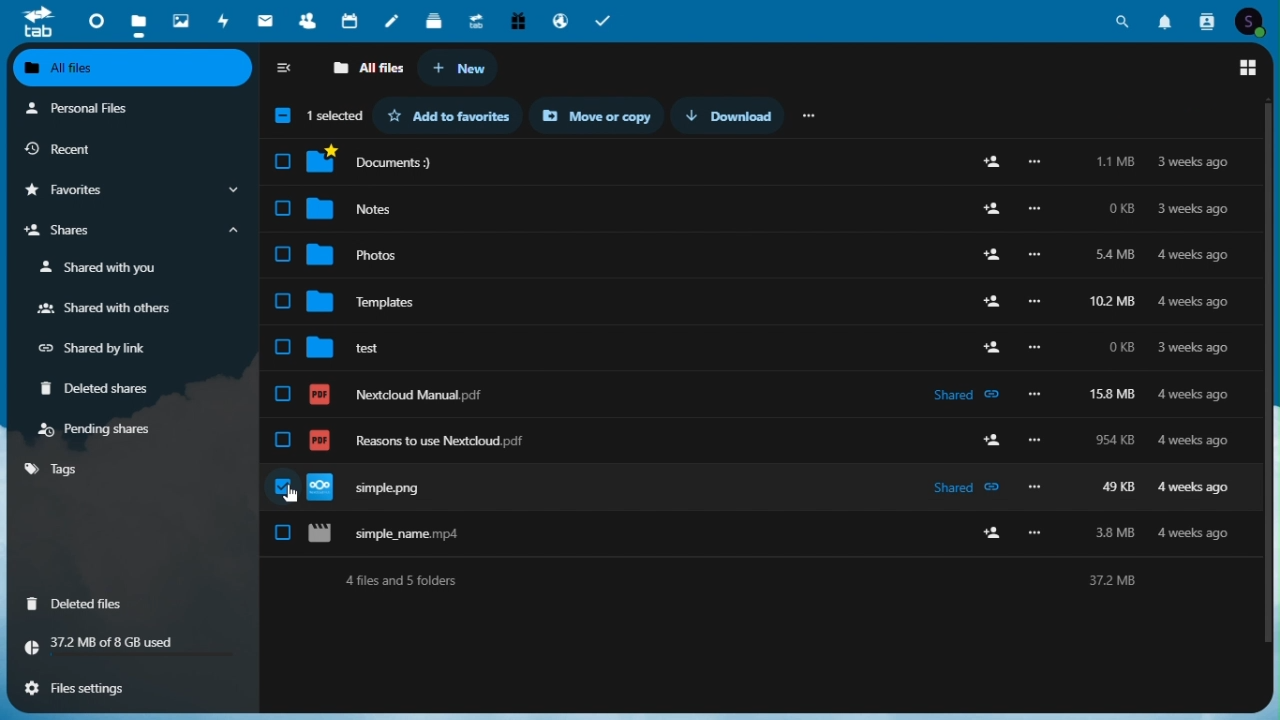  I want to click on collapse sidebar, so click(286, 70).